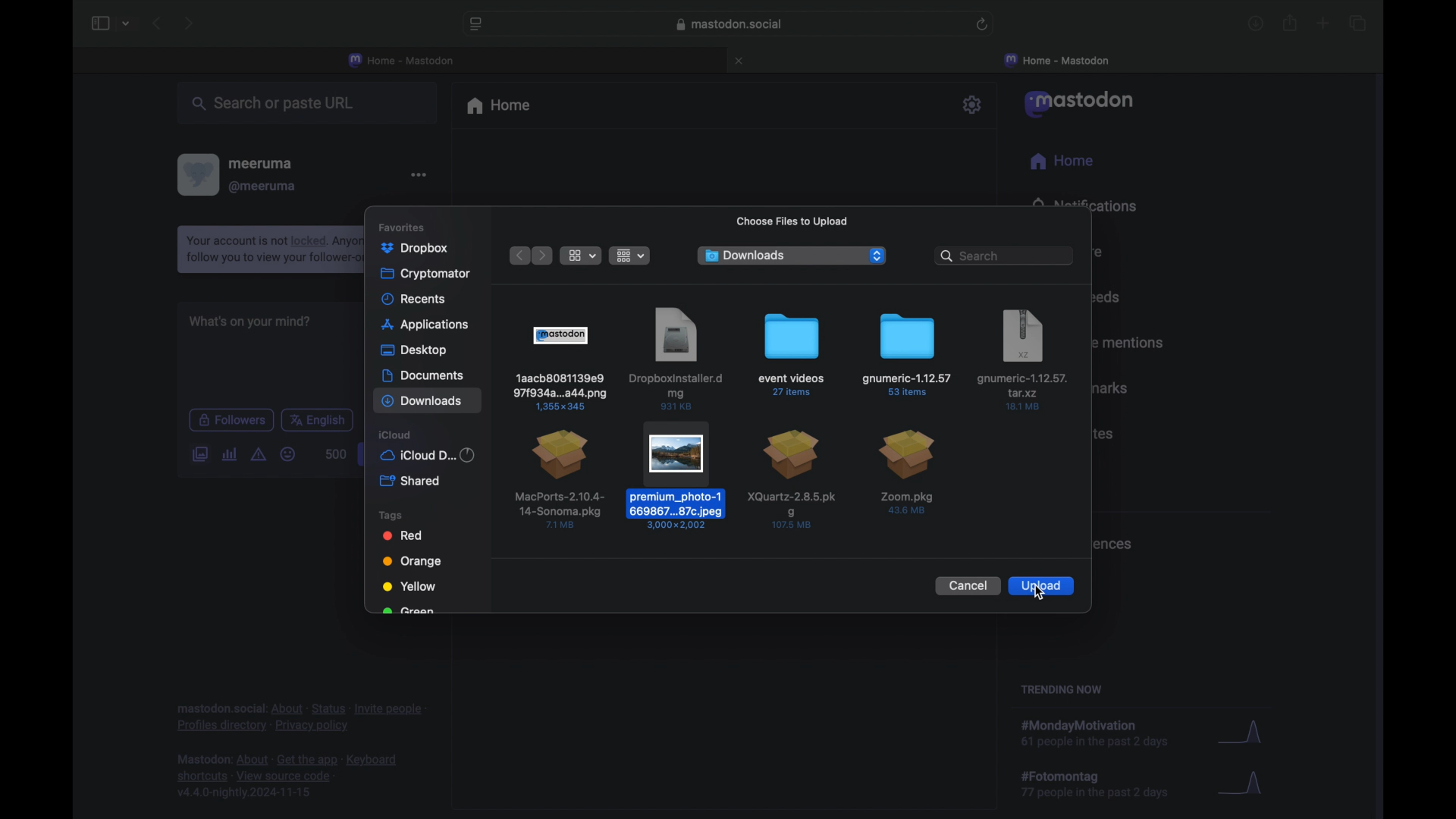 The image size is (1456, 819). What do you see at coordinates (158, 24) in the screenshot?
I see `previous` at bounding box center [158, 24].